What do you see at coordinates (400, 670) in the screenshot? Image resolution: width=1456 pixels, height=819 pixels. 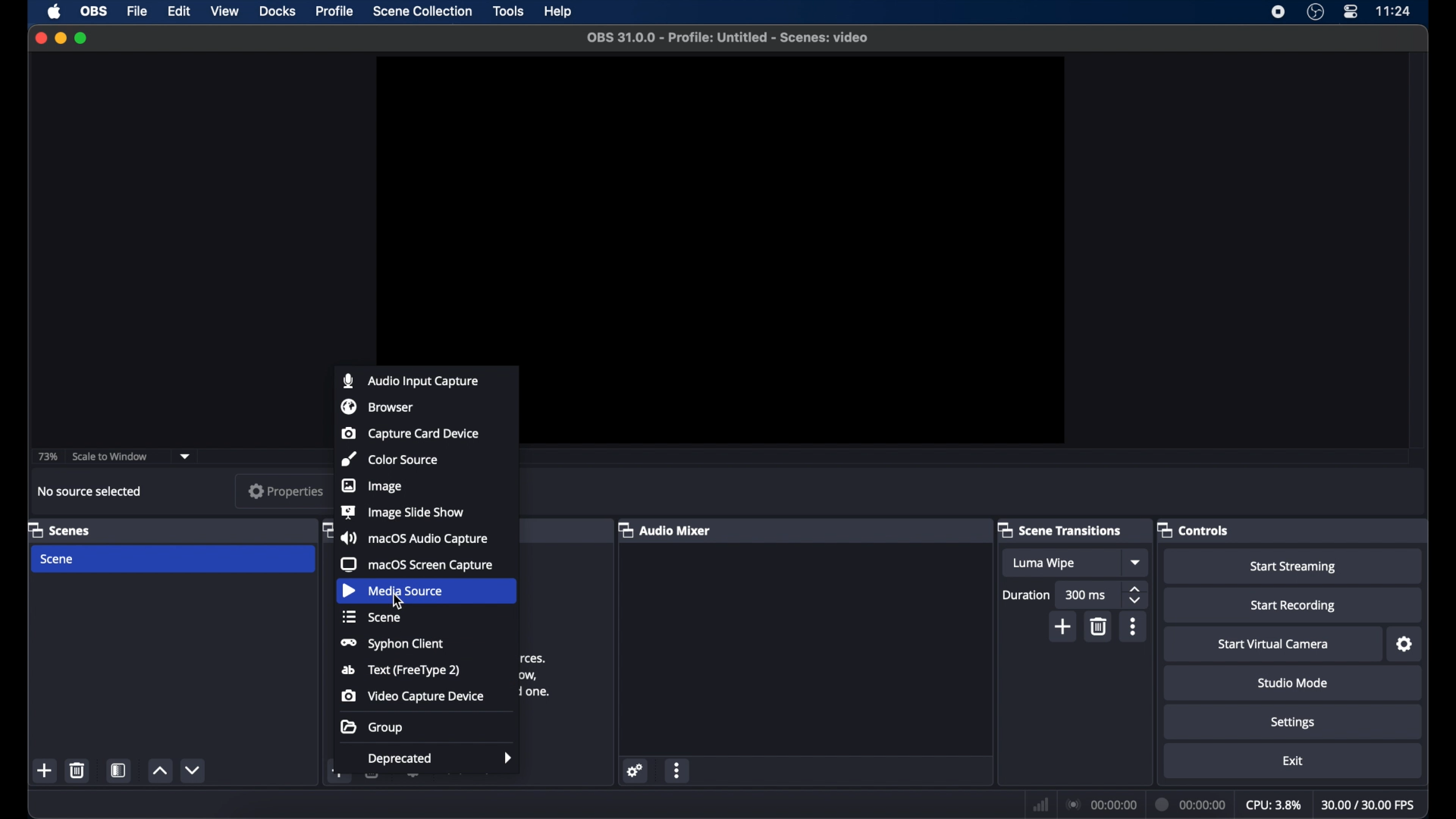 I see `text` at bounding box center [400, 670].